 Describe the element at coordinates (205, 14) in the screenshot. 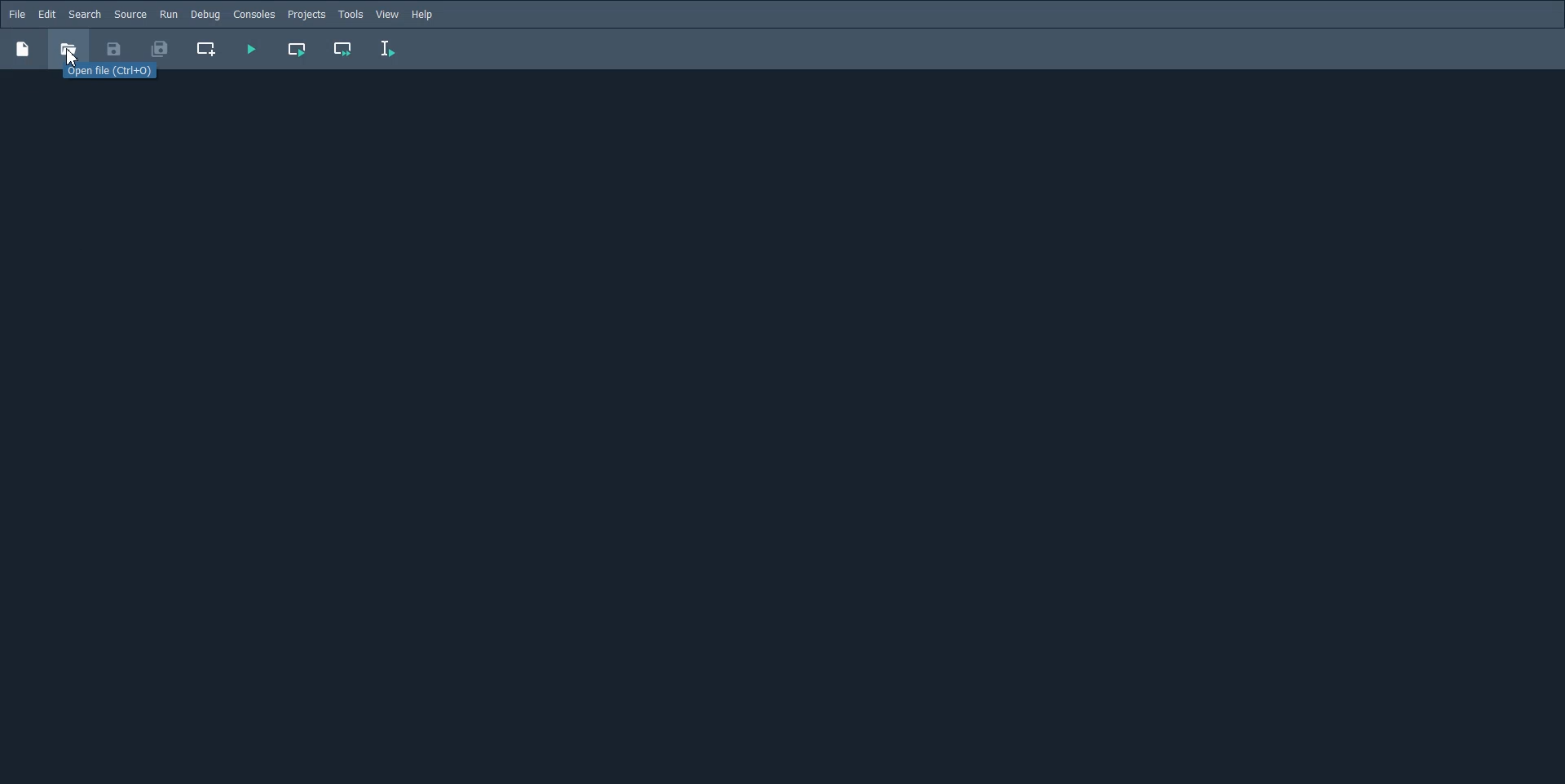

I see `Debug` at that location.